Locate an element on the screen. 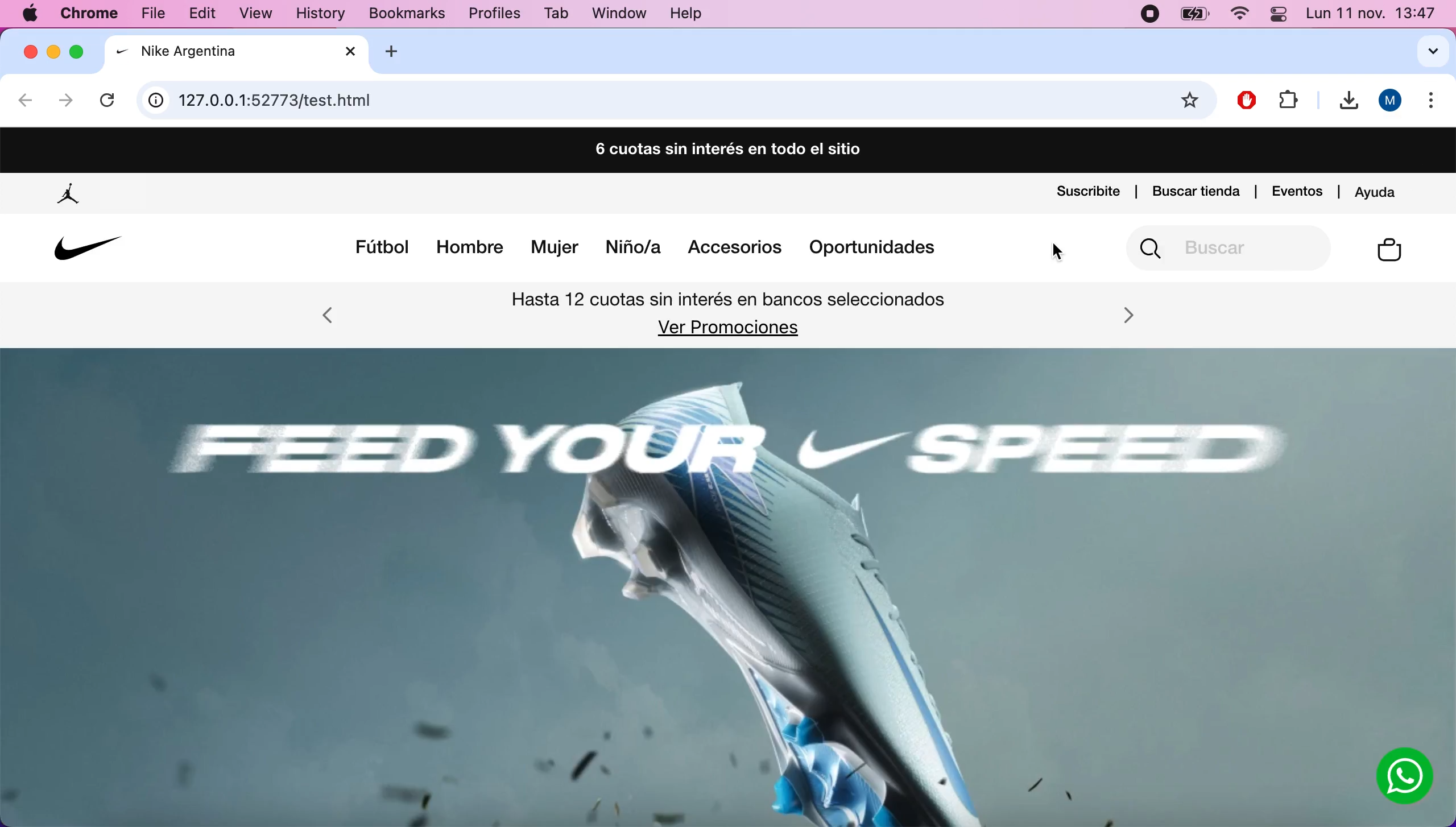  Shopping bag is located at coordinates (1390, 251).